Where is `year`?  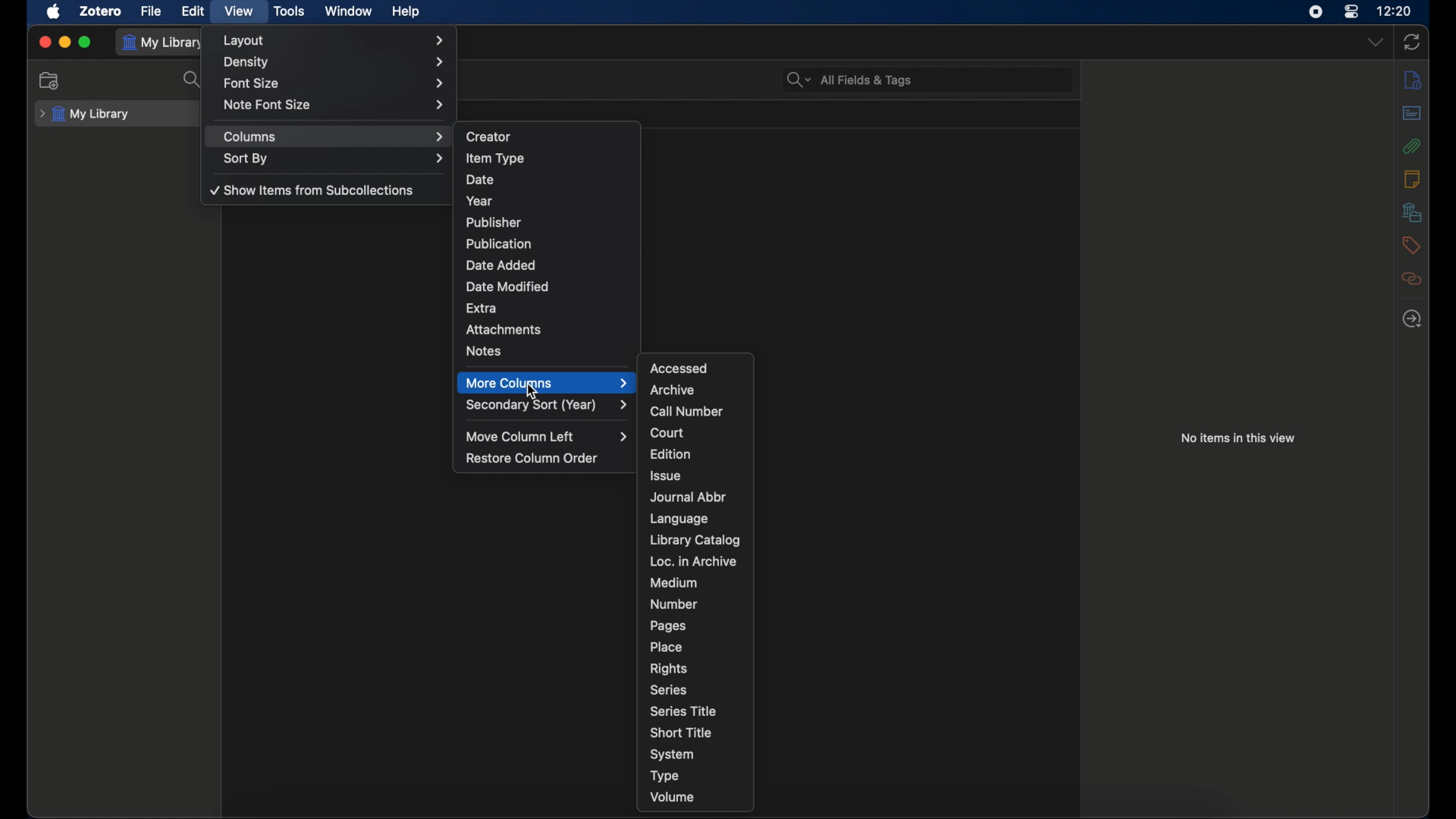 year is located at coordinates (479, 200).